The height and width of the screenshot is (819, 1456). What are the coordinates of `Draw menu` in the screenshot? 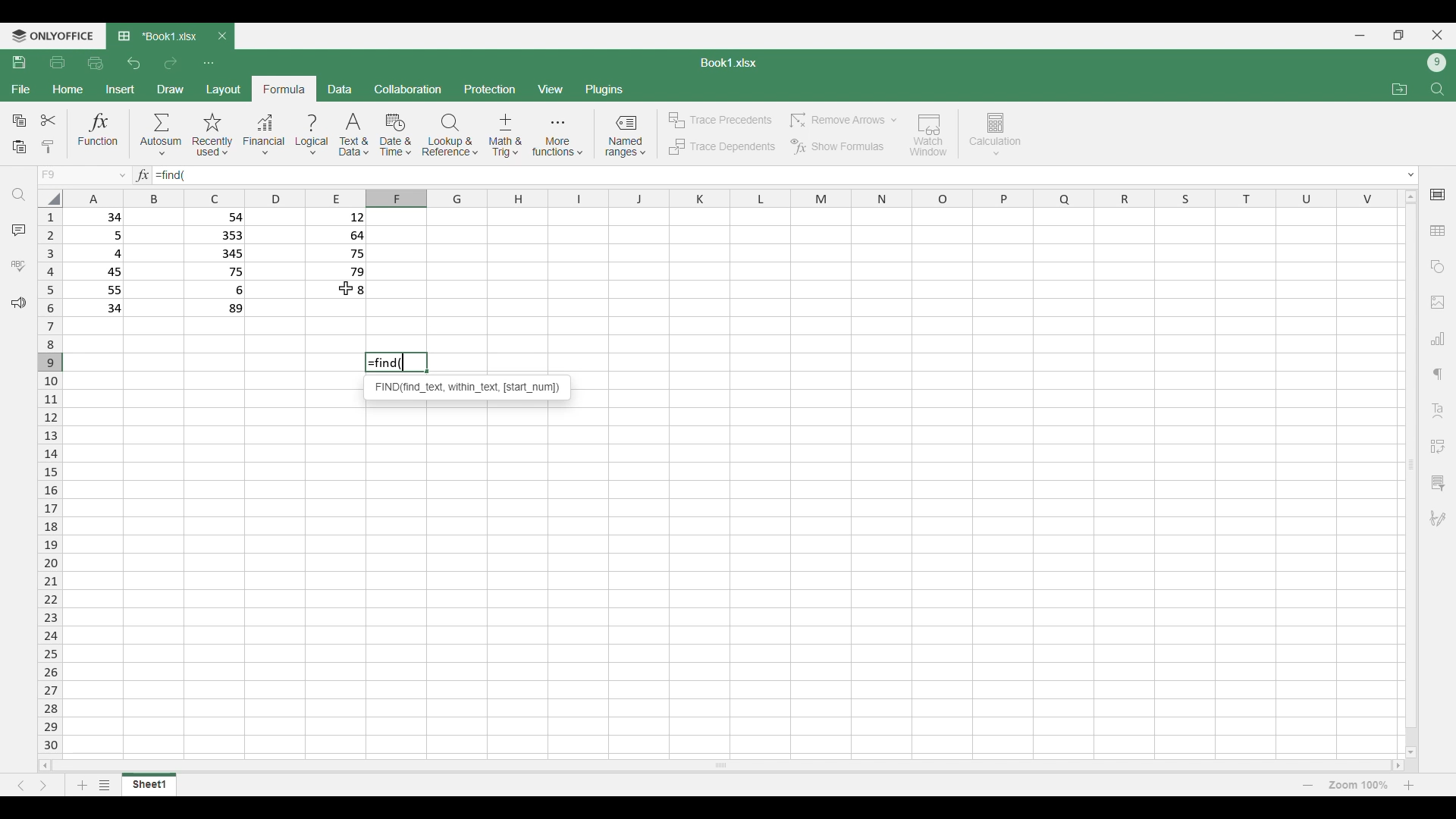 It's located at (170, 89).